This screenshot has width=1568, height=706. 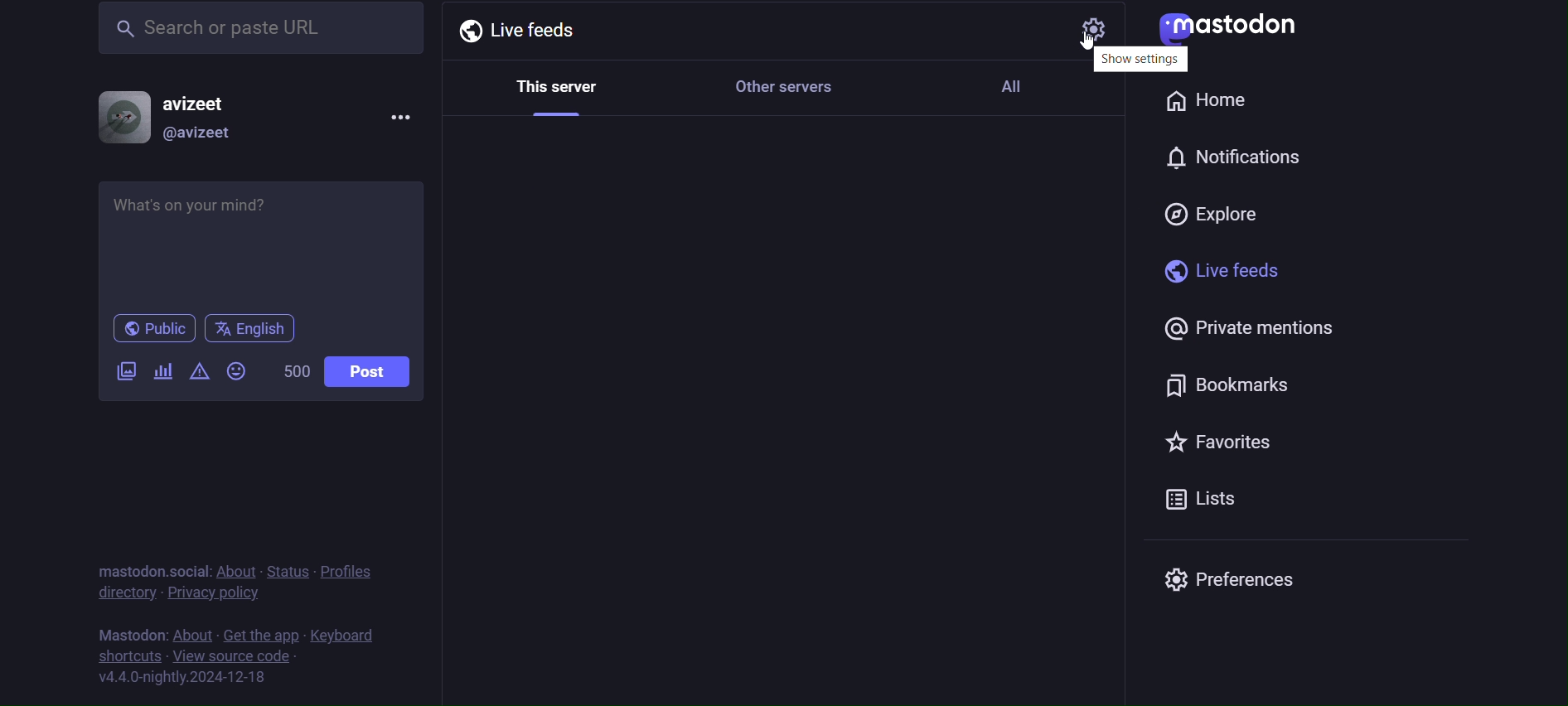 What do you see at coordinates (231, 563) in the screenshot?
I see `about` at bounding box center [231, 563].